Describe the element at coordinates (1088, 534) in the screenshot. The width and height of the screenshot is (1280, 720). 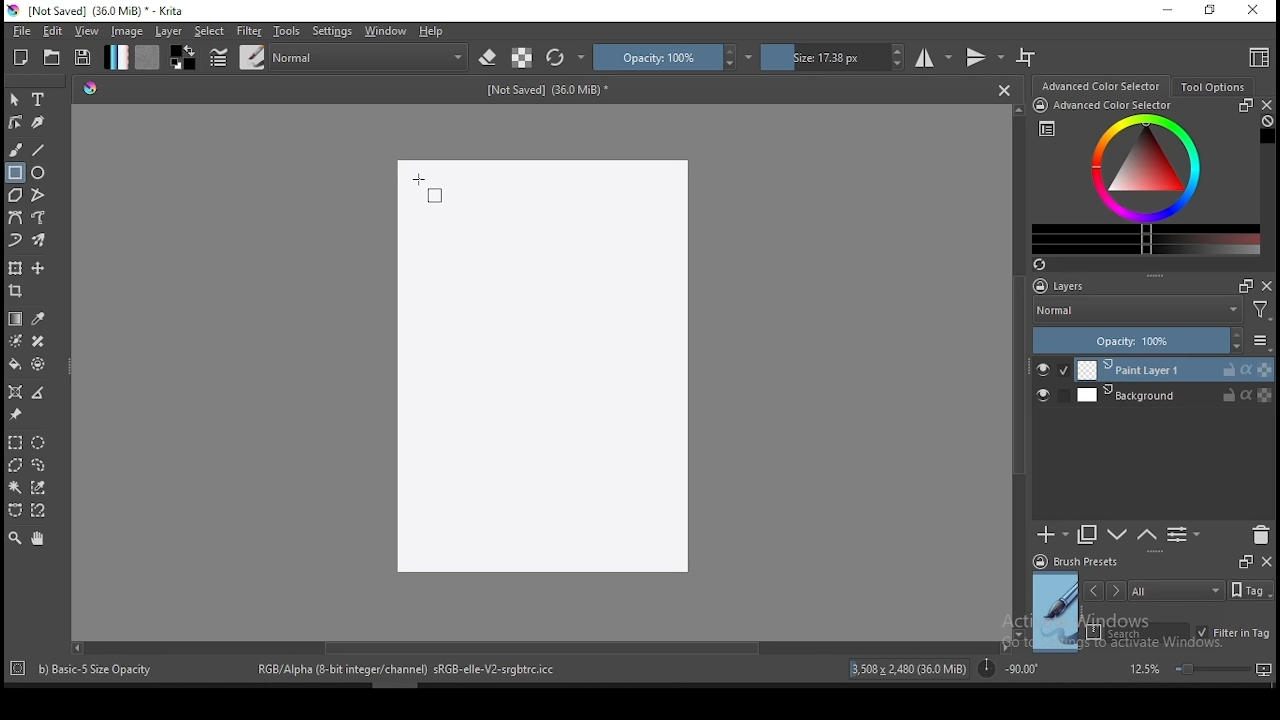
I see `duplicate layer` at that location.